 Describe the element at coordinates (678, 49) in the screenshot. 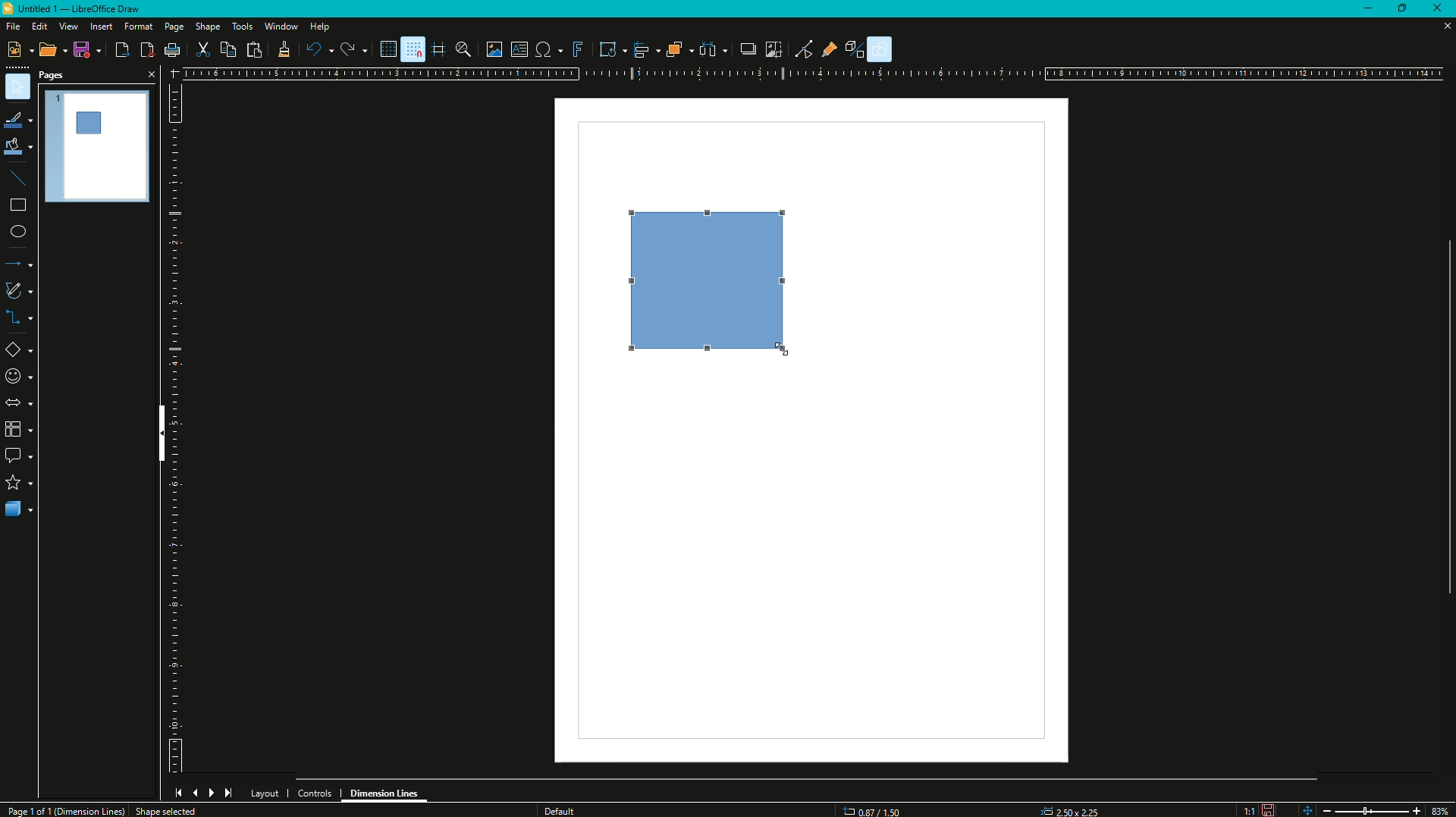

I see `Arrange` at that location.